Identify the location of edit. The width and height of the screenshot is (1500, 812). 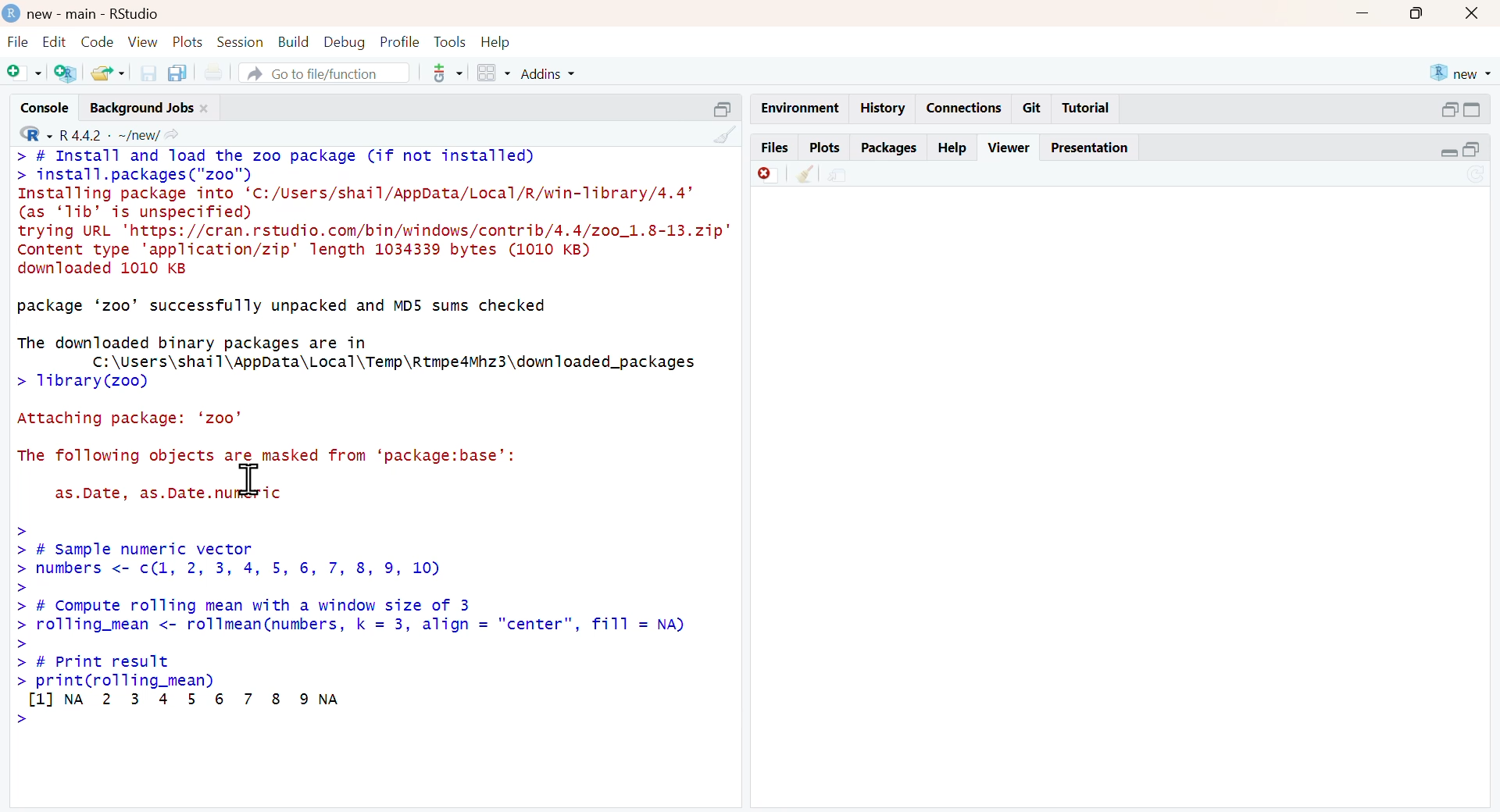
(55, 41).